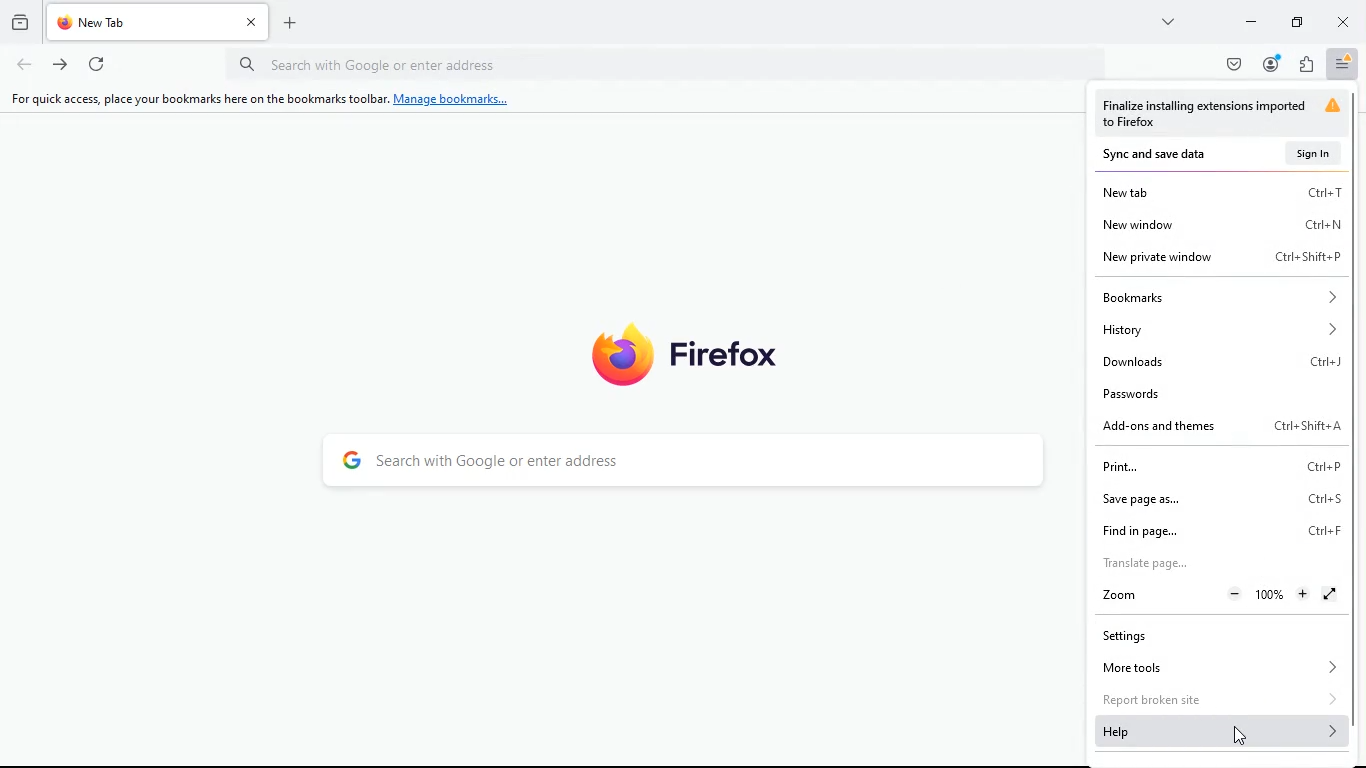 This screenshot has height=768, width=1366. Describe the element at coordinates (1223, 564) in the screenshot. I see `translate page` at that location.